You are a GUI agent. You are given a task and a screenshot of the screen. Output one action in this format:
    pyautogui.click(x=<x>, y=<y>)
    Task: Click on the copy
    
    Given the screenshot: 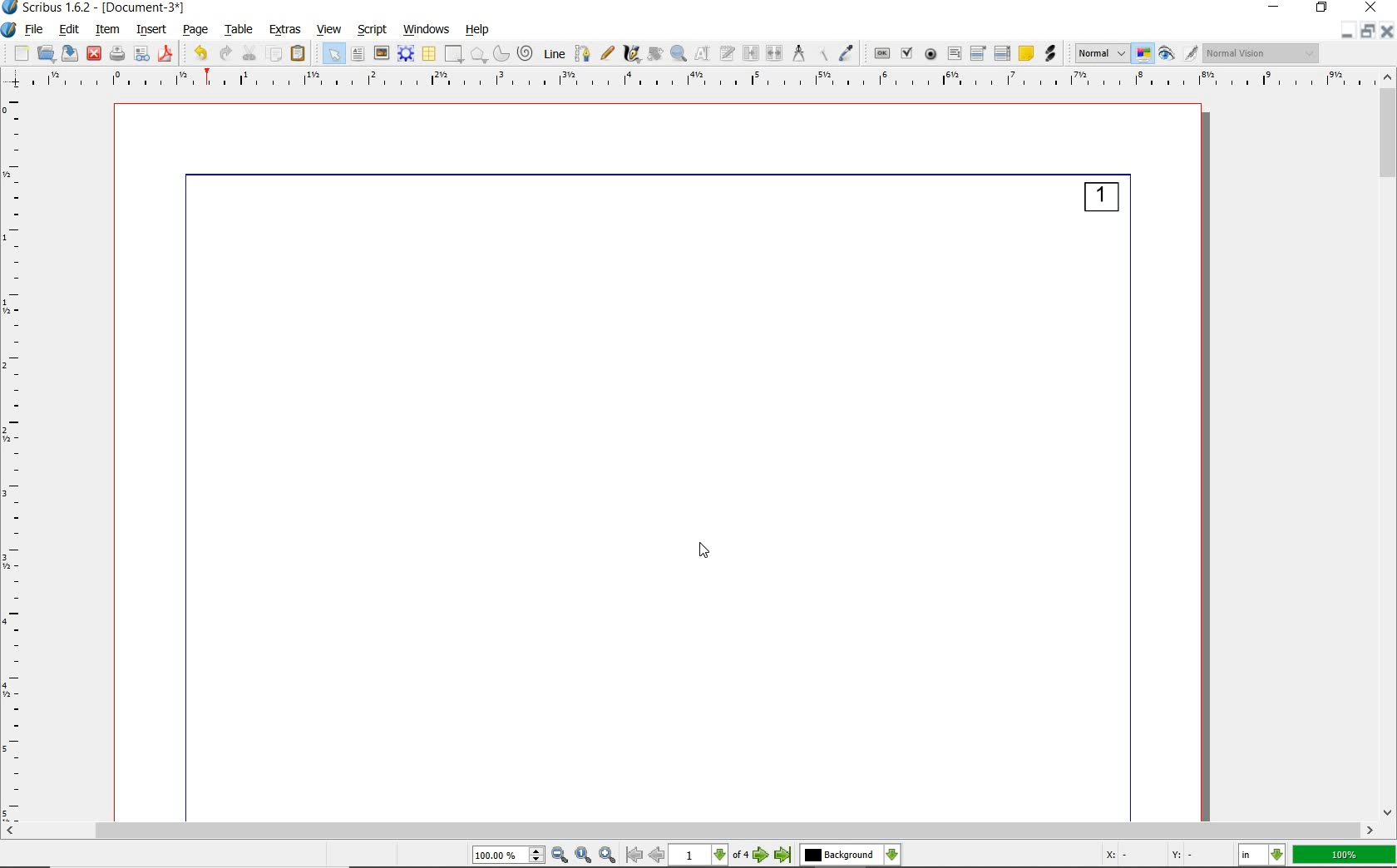 What is the action you would take?
    pyautogui.click(x=274, y=53)
    